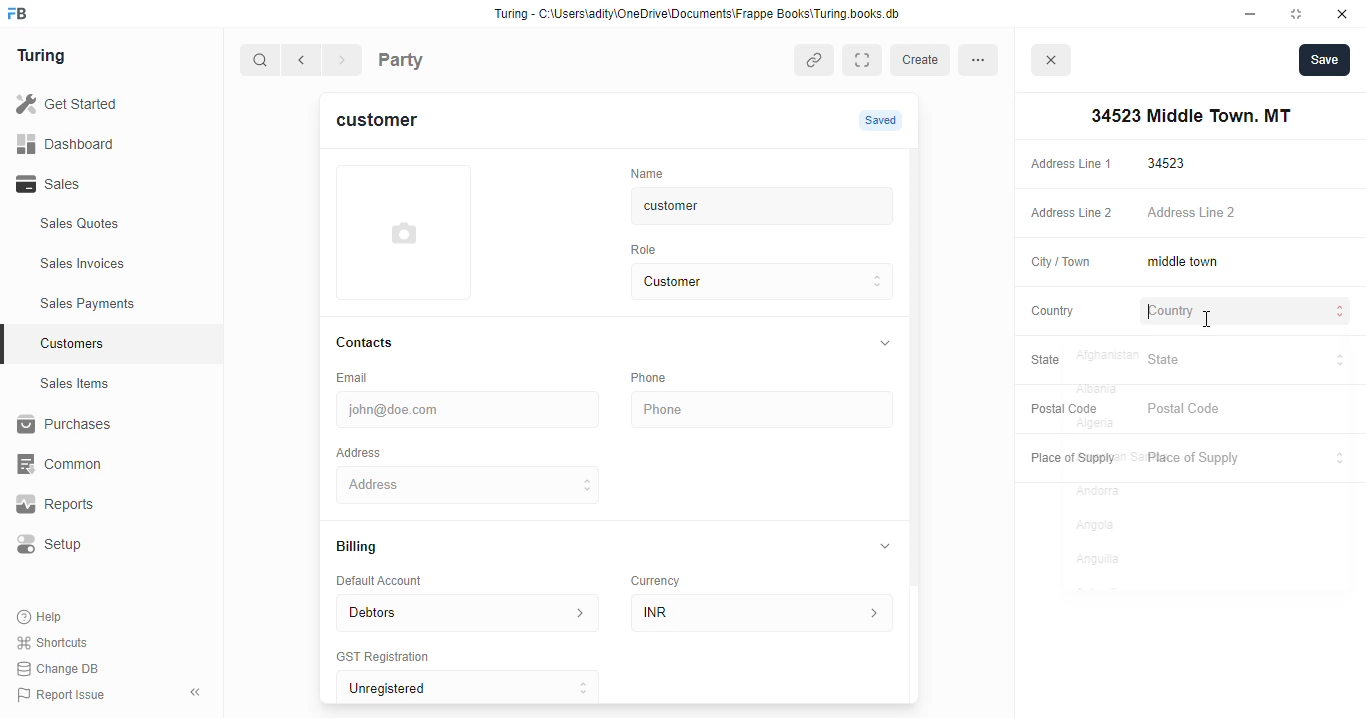  Describe the element at coordinates (356, 376) in the screenshot. I see `Email` at that location.